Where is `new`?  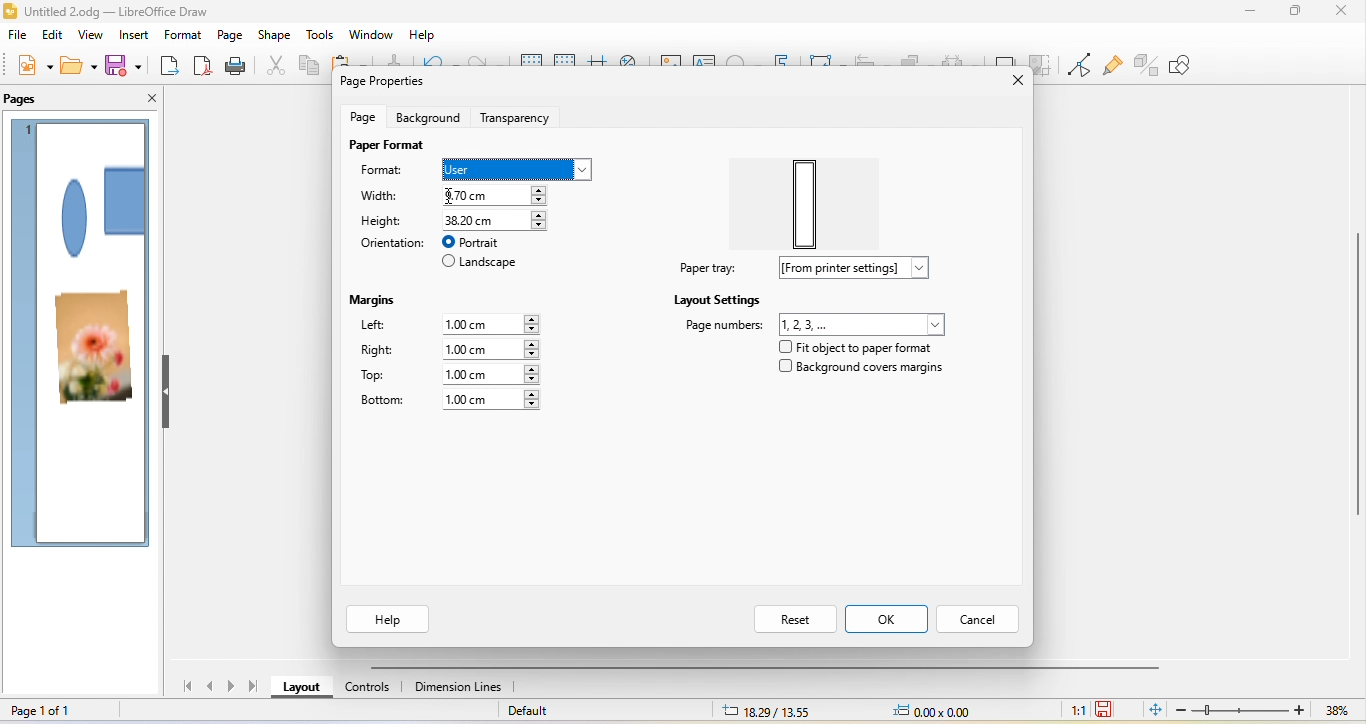 new is located at coordinates (27, 68).